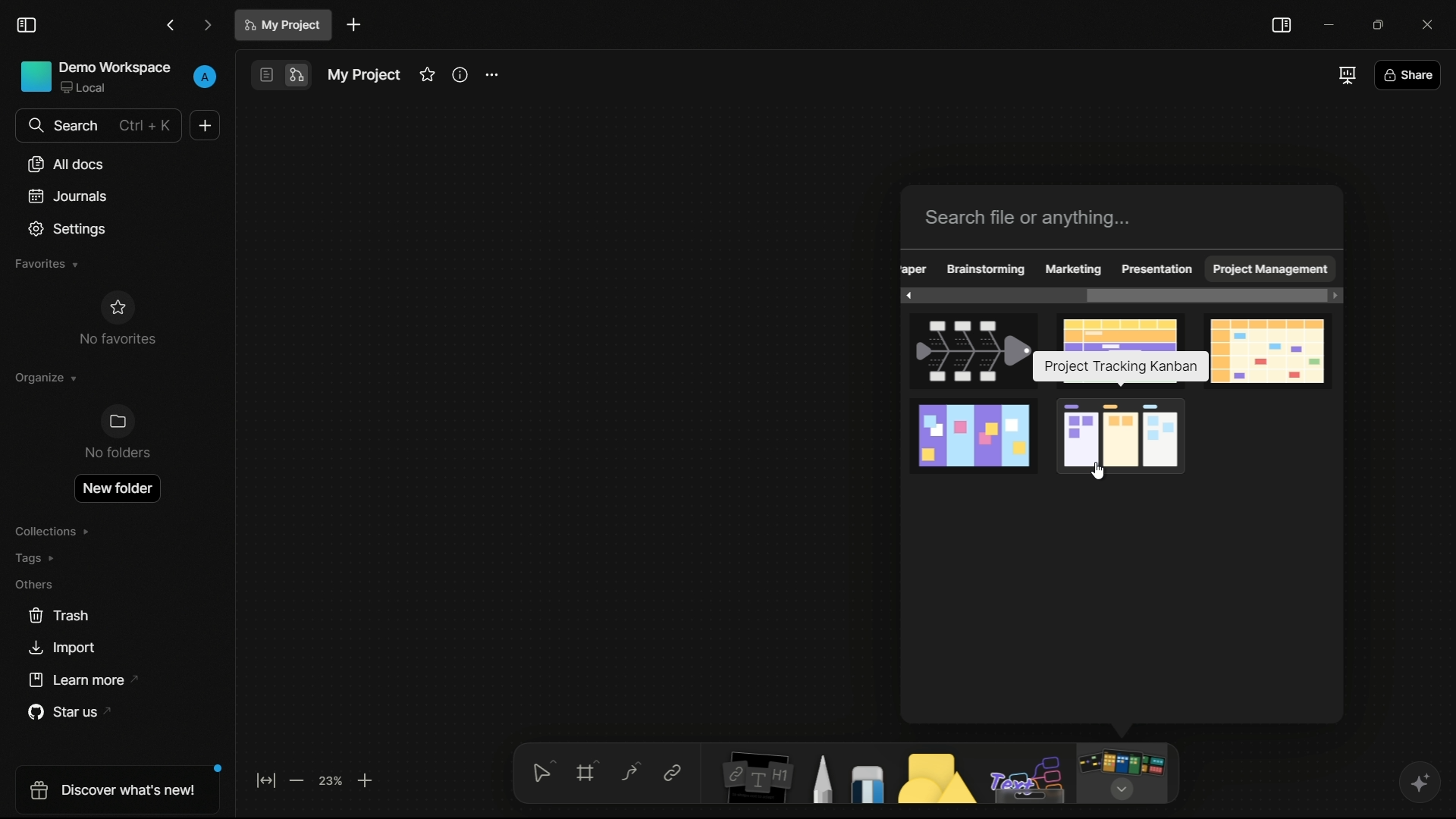  I want to click on zoom factor, so click(331, 780).